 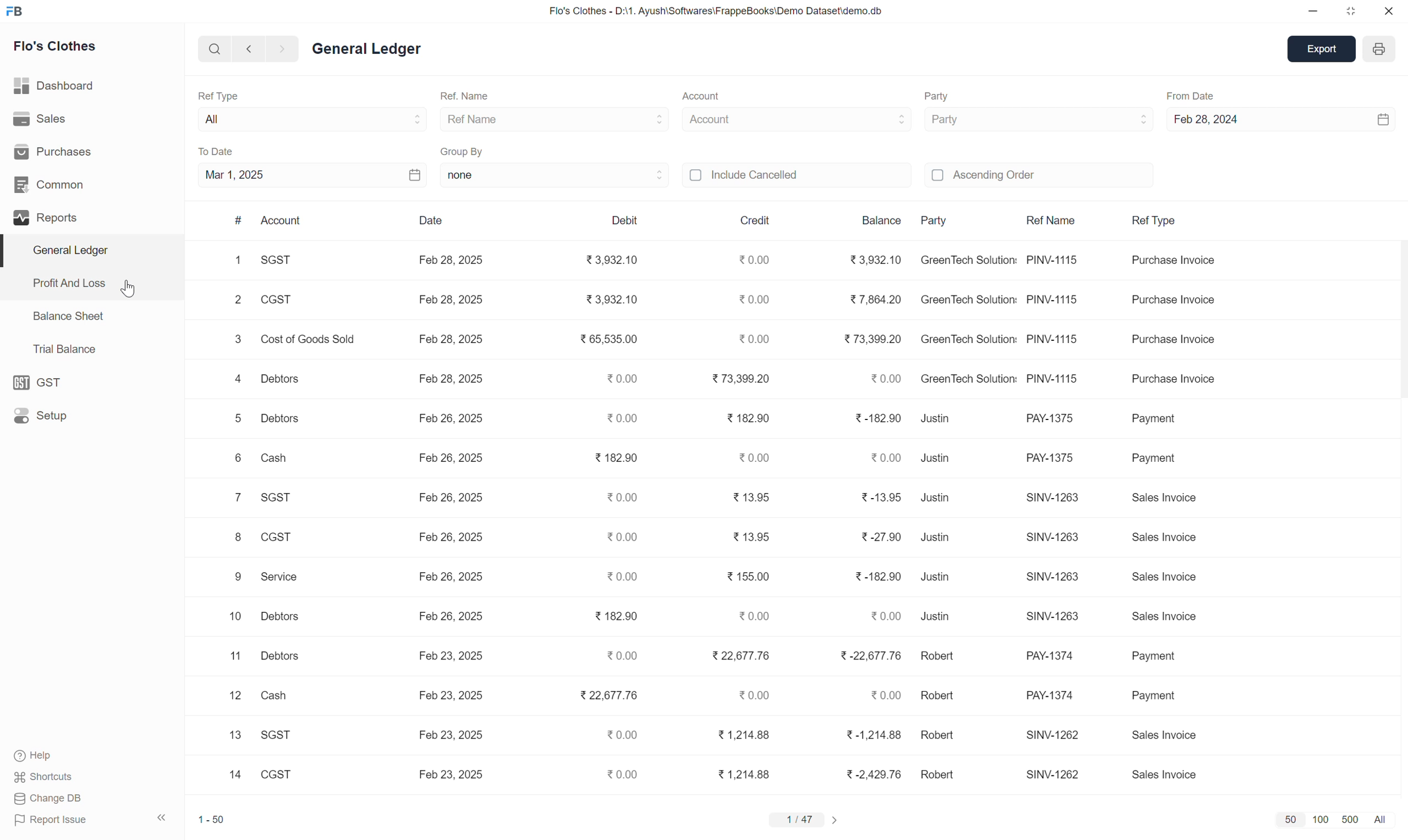 I want to click on Party, so click(x=951, y=222).